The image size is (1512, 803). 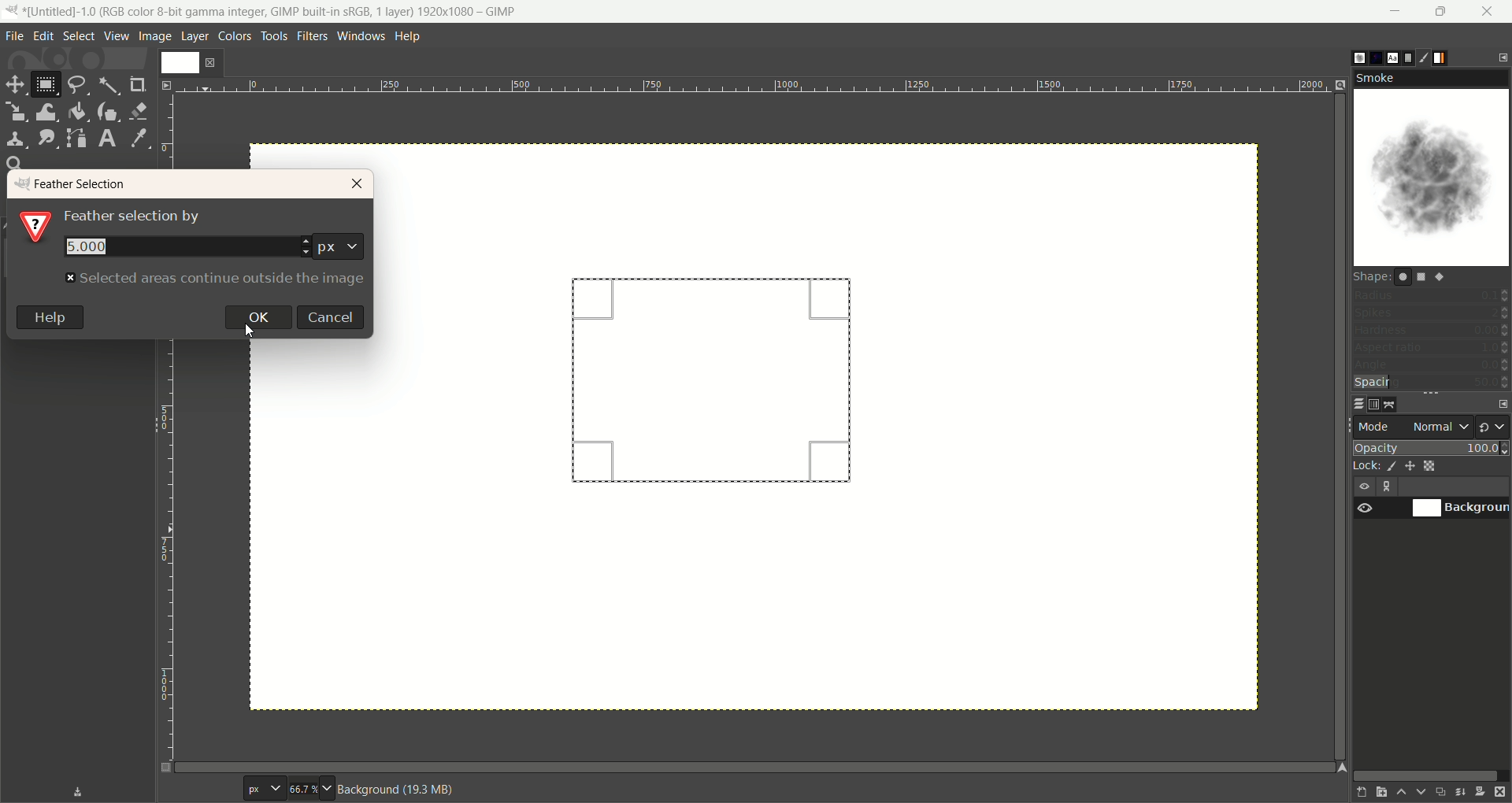 What do you see at coordinates (110, 87) in the screenshot?
I see `fuzzy select tool` at bounding box center [110, 87].